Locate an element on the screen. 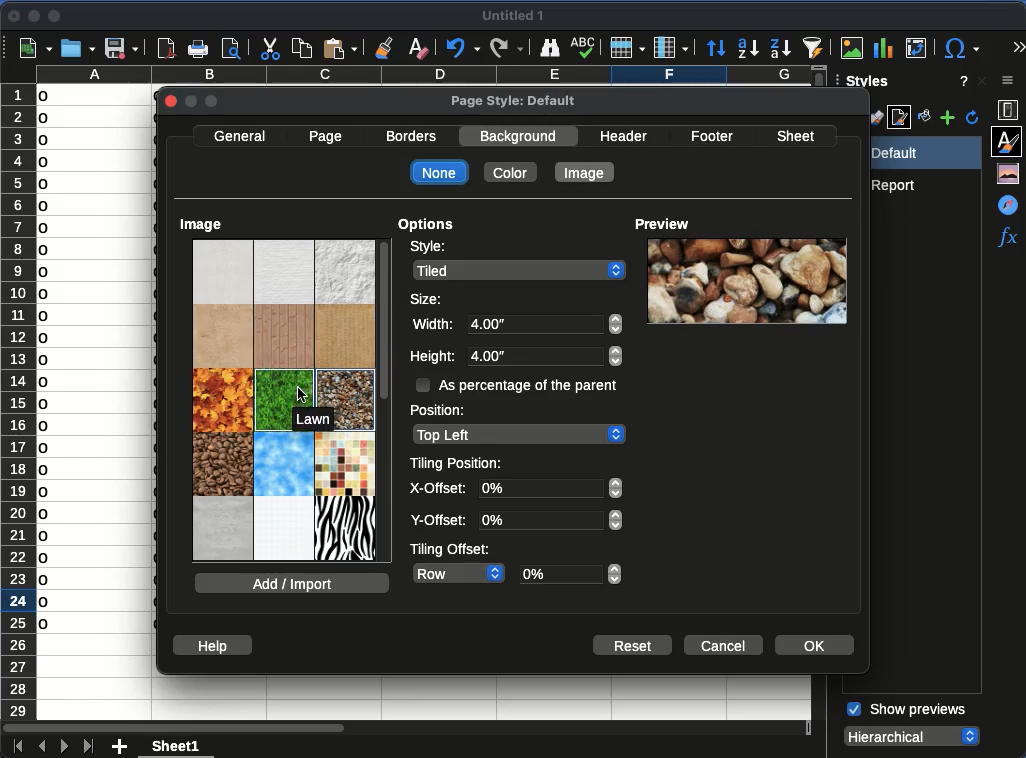 The image size is (1026, 758). columns is located at coordinates (419, 75).